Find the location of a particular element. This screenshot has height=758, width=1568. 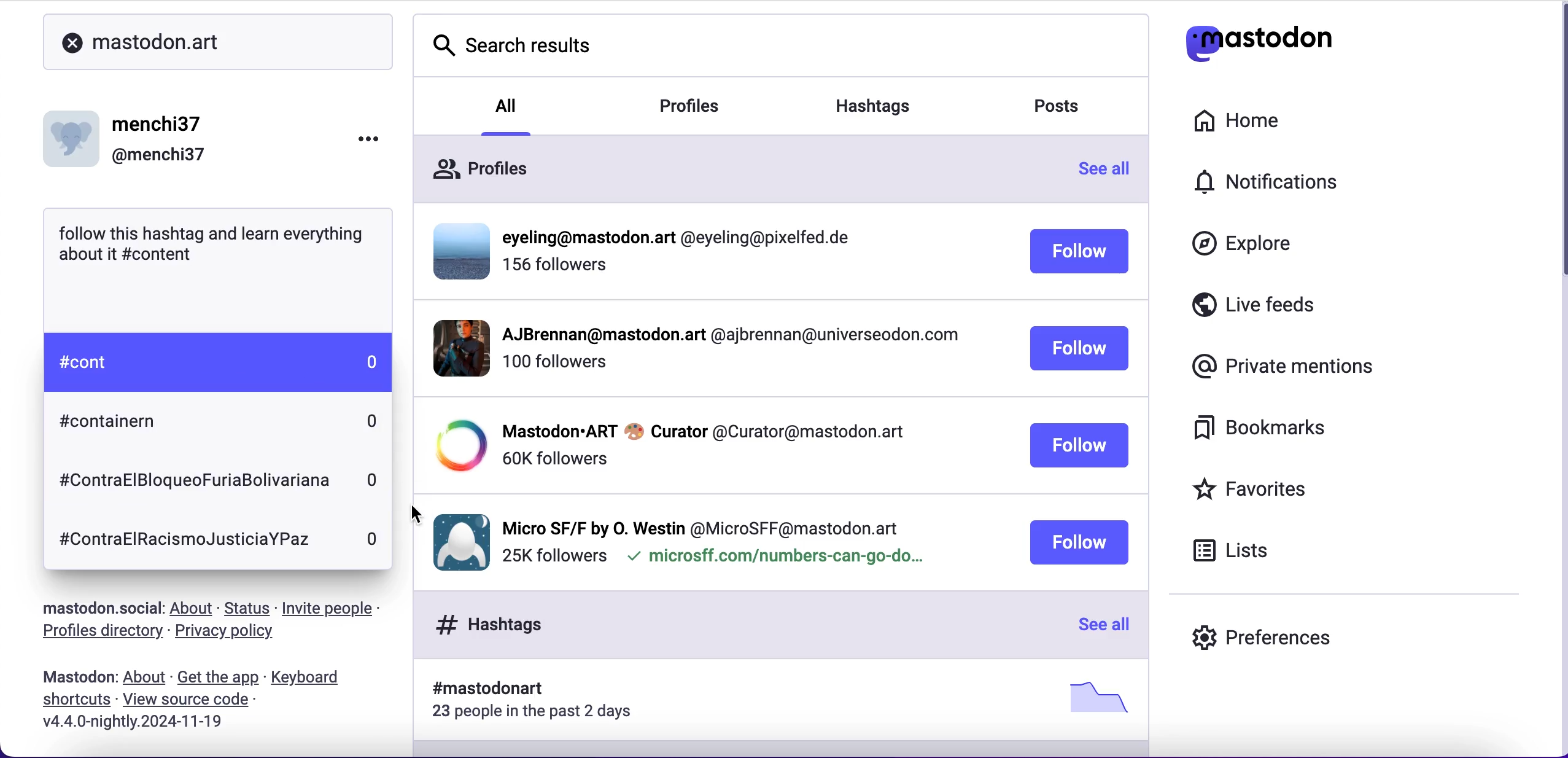

home is located at coordinates (1252, 122).